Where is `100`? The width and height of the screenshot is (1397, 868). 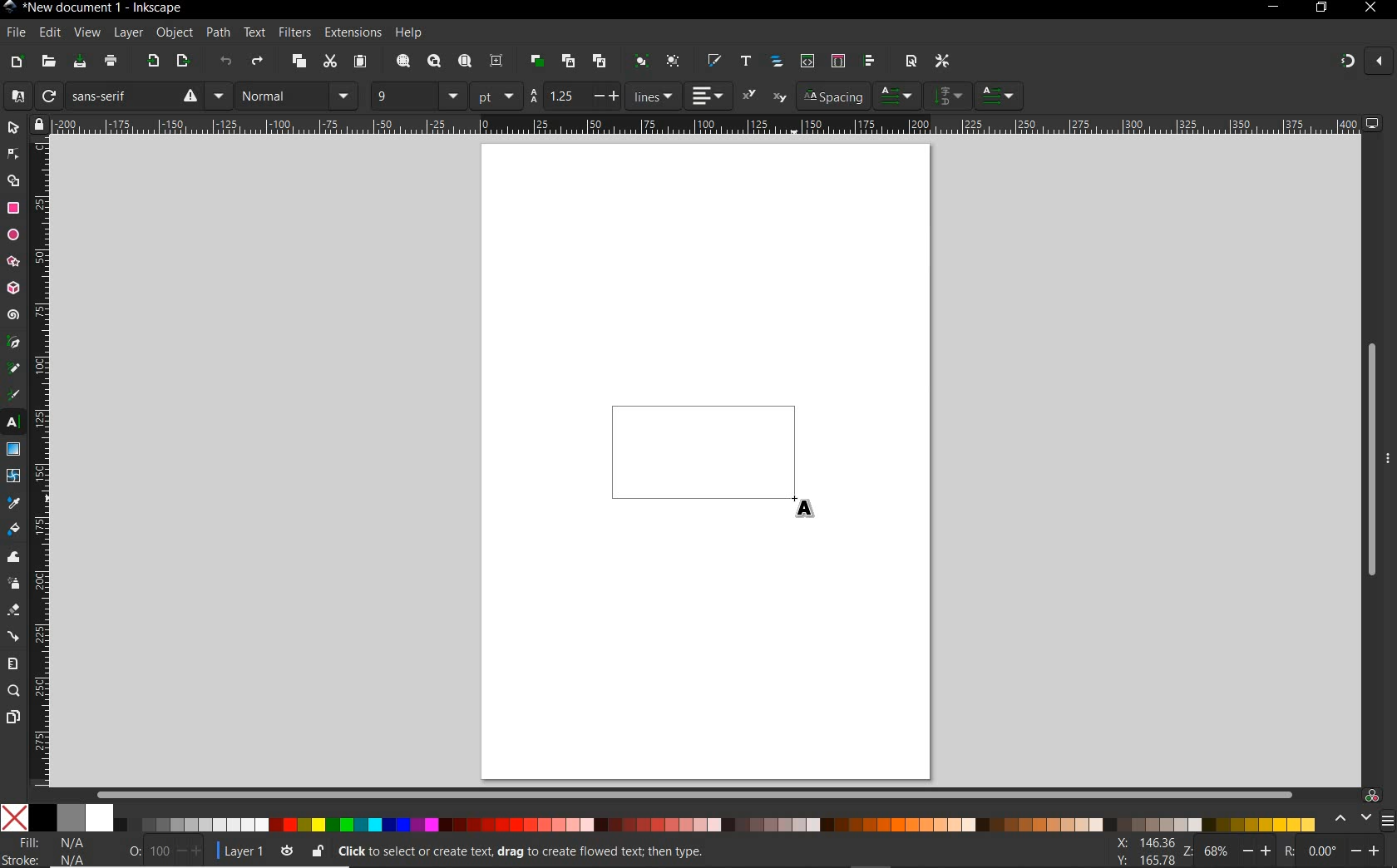 100 is located at coordinates (158, 851).